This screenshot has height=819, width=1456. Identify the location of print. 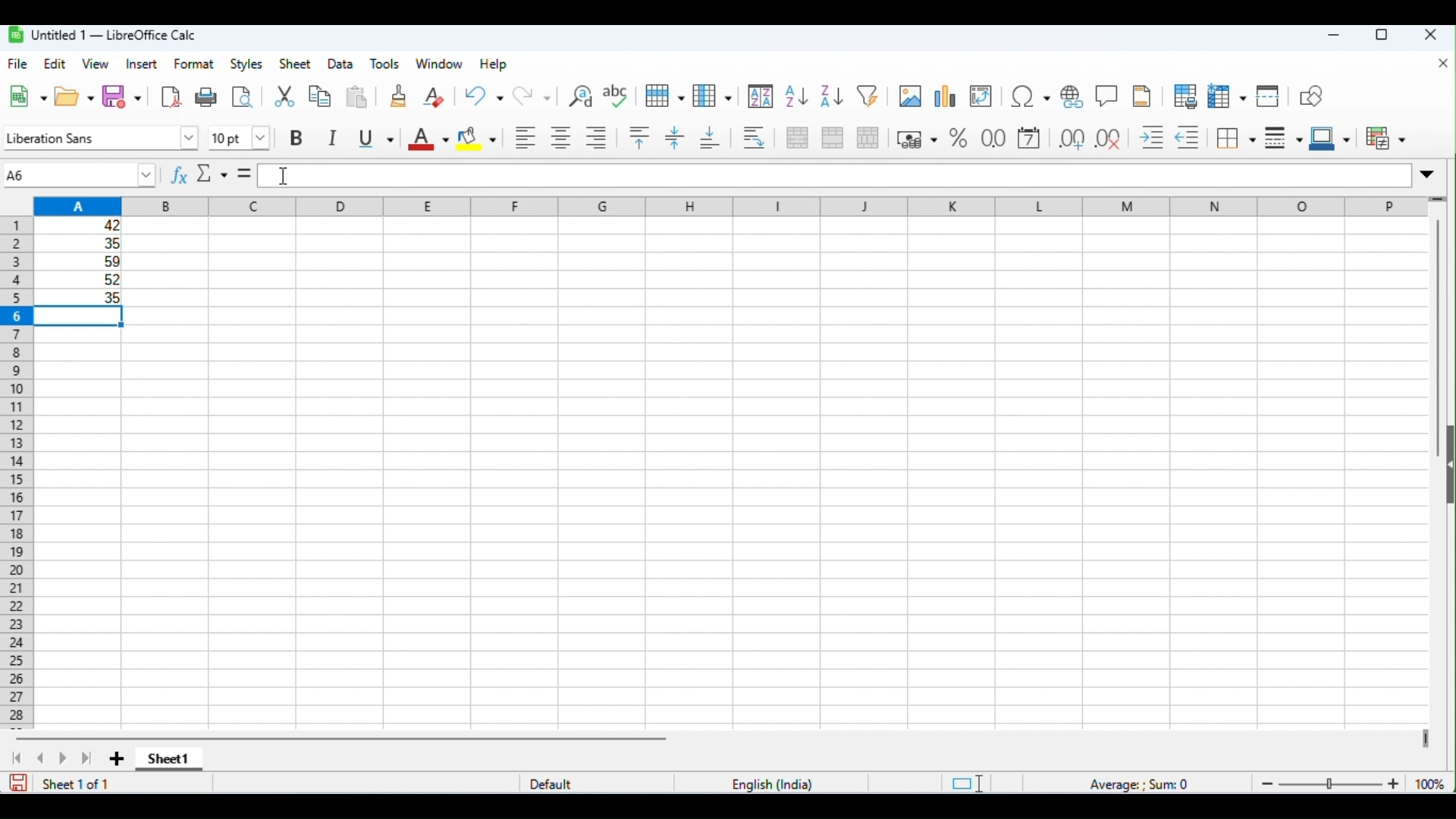
(205, 97).